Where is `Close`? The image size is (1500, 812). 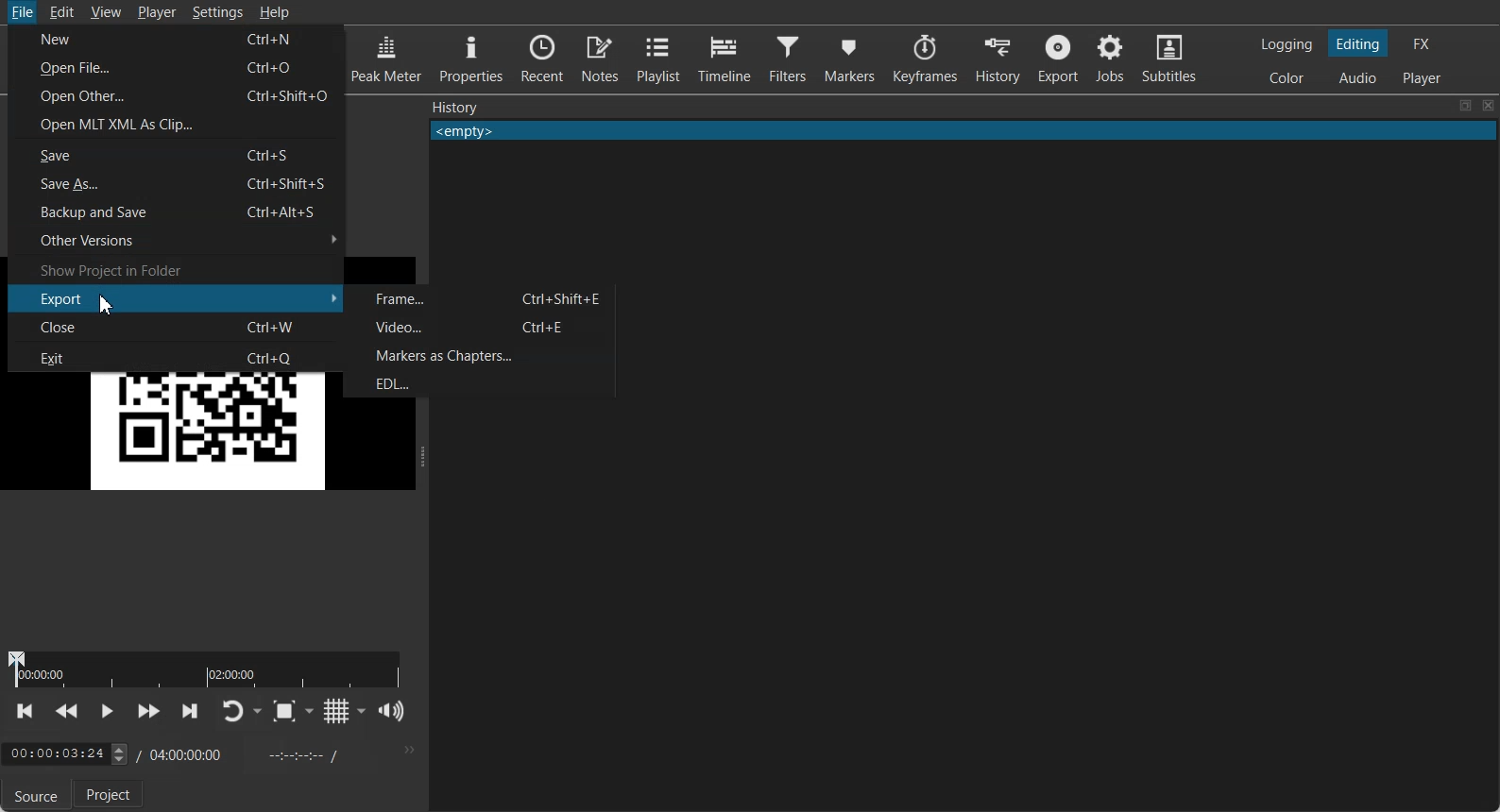 Close is located at coordinates (108, 326).